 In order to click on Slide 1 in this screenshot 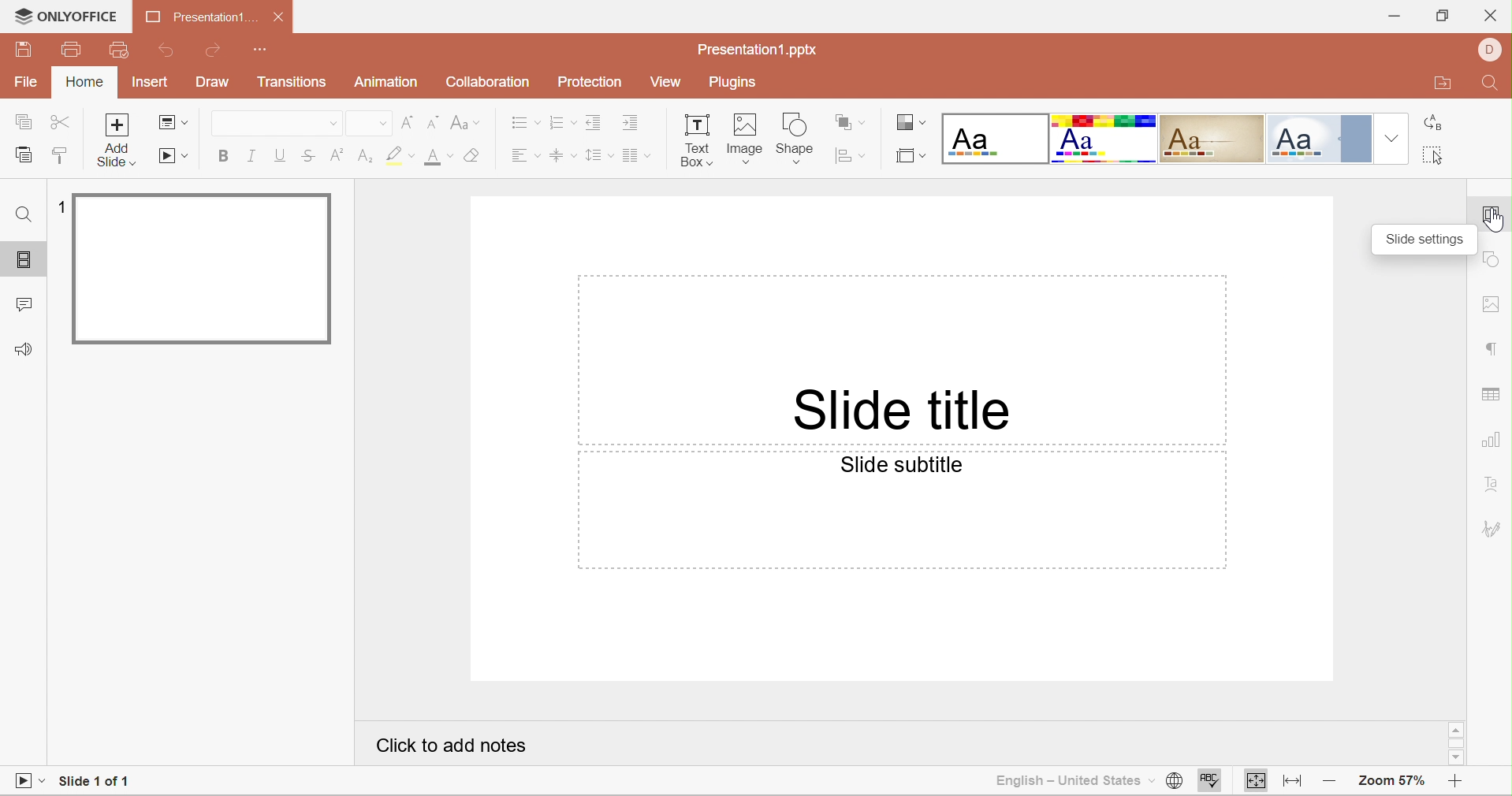, I will do `click(206, 267)`.